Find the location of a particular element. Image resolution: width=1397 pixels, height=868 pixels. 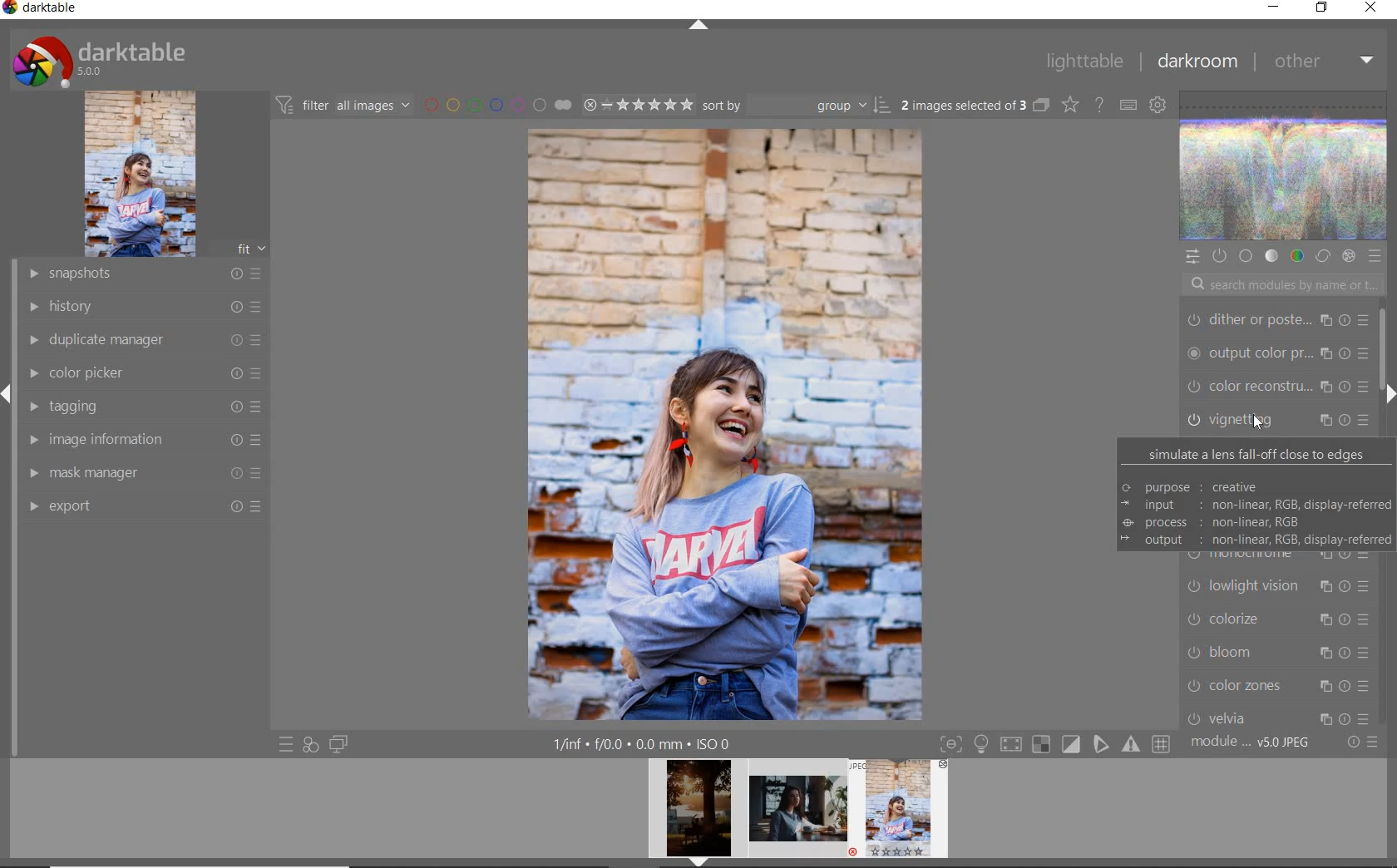

tone equalizer is located at coordinates (1276, 385).